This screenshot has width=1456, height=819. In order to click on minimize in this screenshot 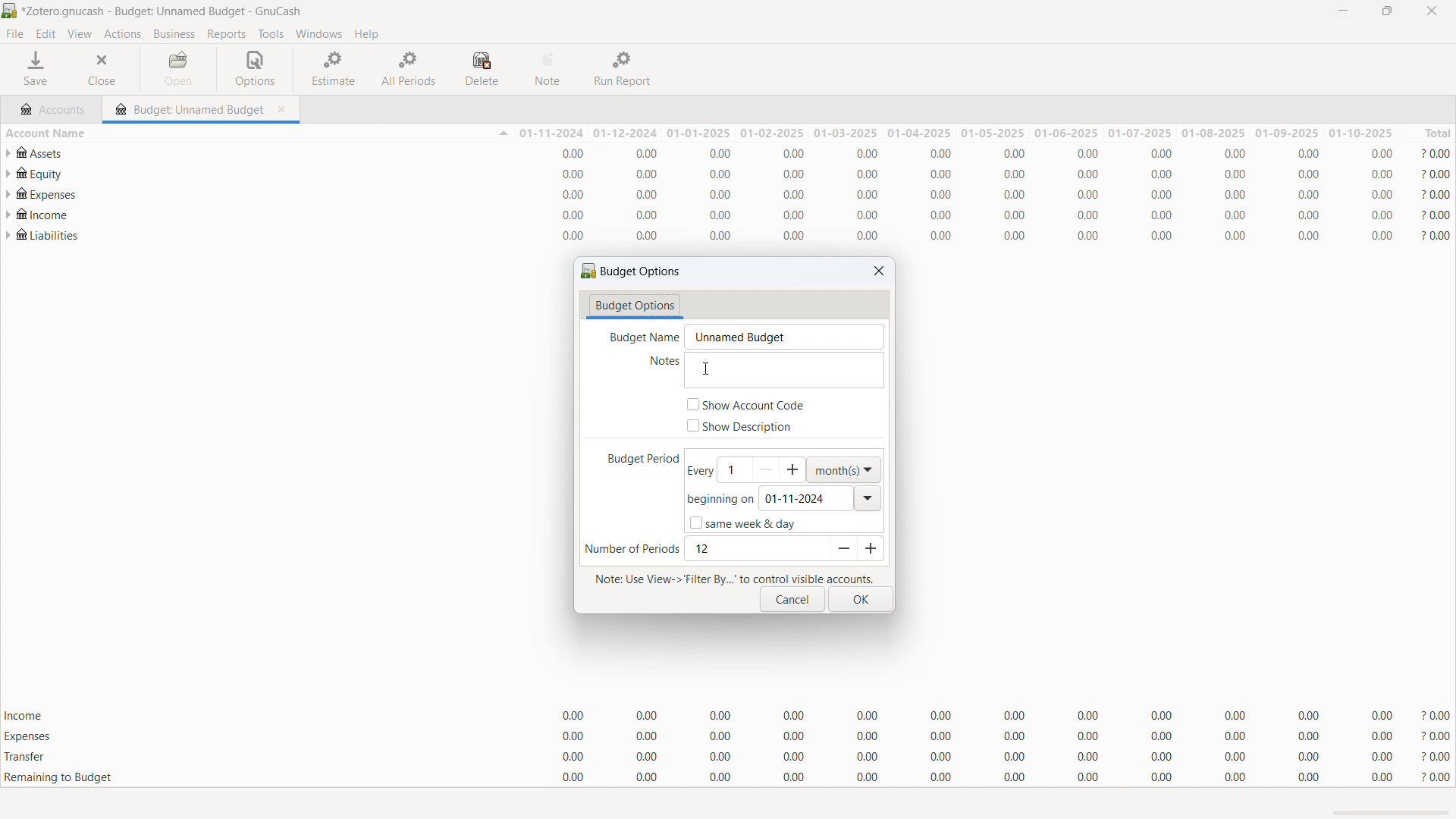, I will do `click(1341, 11)`.